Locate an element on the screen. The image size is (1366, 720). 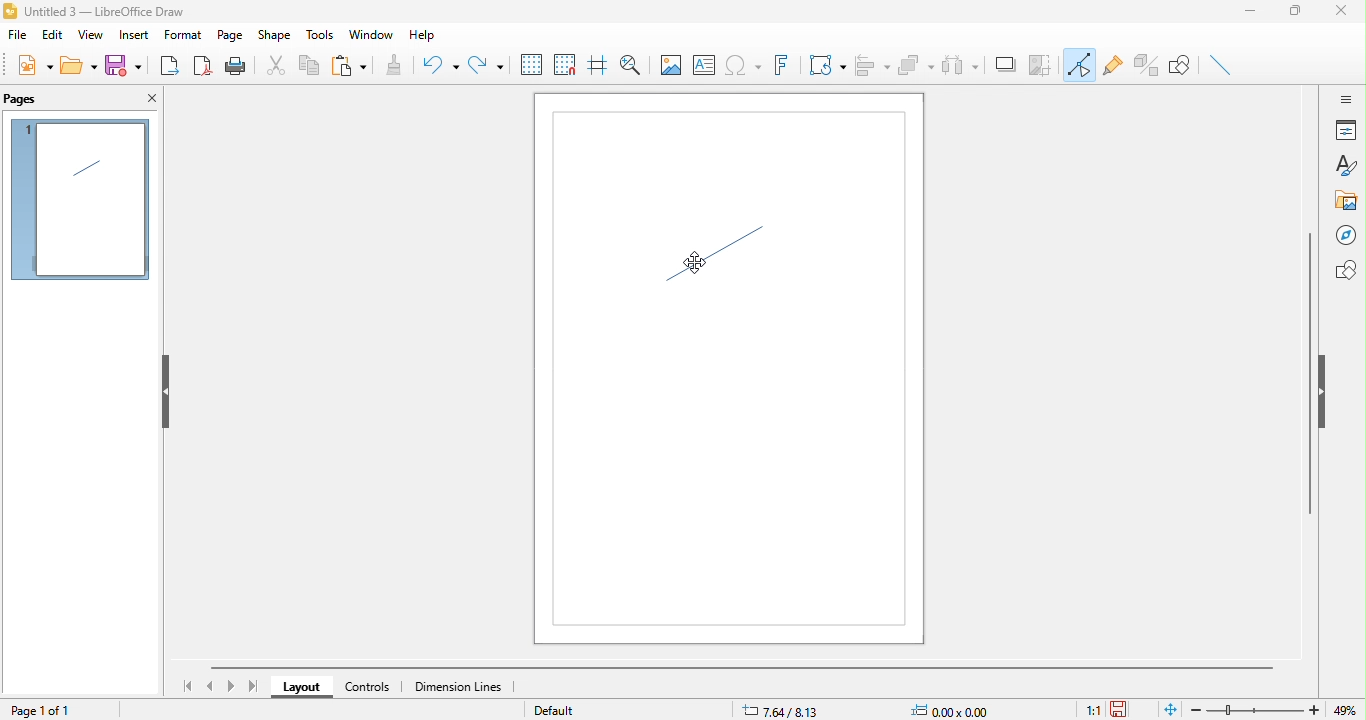
hide is located at coordinates (1325, 392).